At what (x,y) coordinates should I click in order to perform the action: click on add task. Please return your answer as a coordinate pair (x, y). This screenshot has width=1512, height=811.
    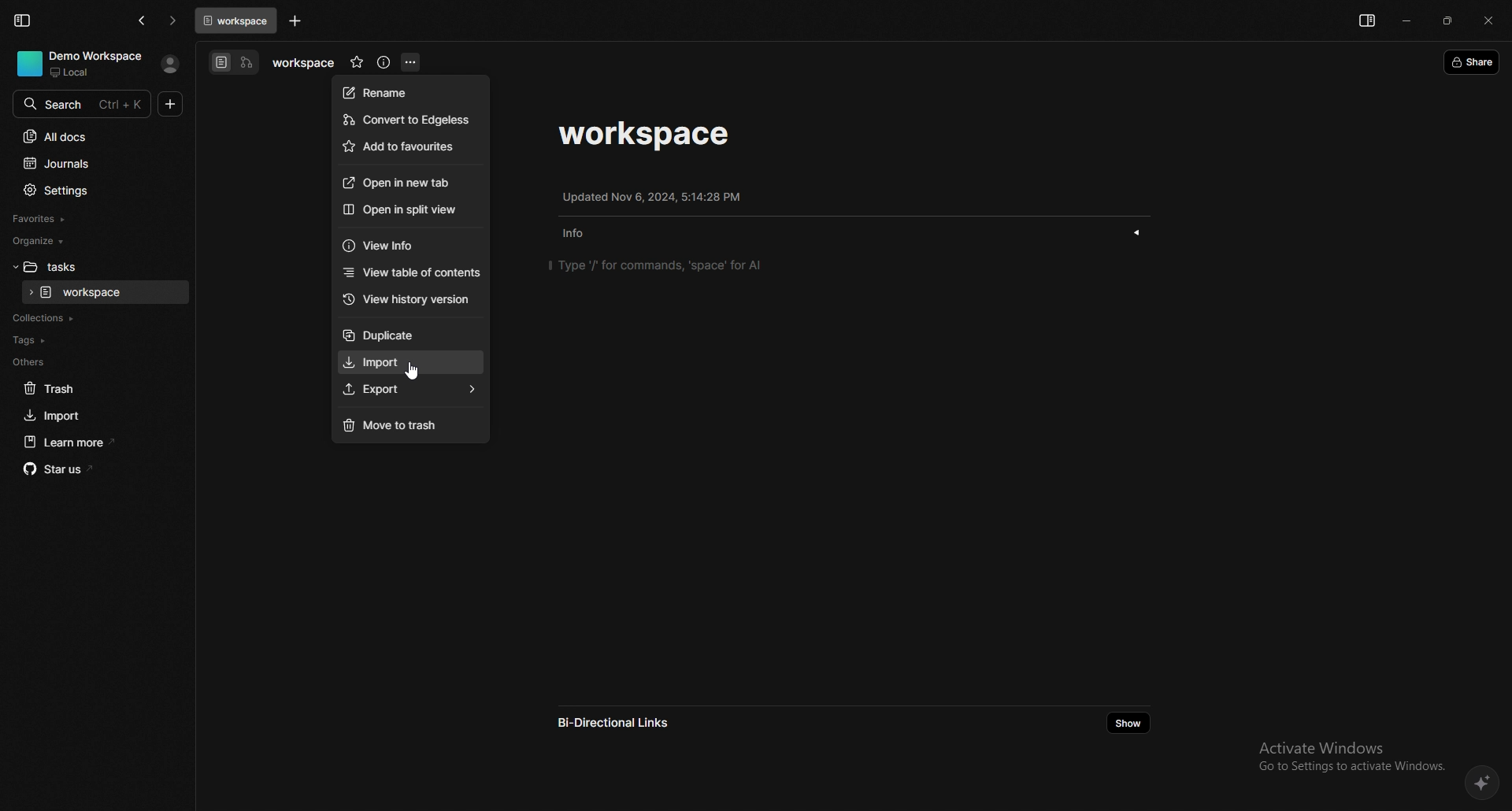
    Looking at the image, I should click on (295, 21).